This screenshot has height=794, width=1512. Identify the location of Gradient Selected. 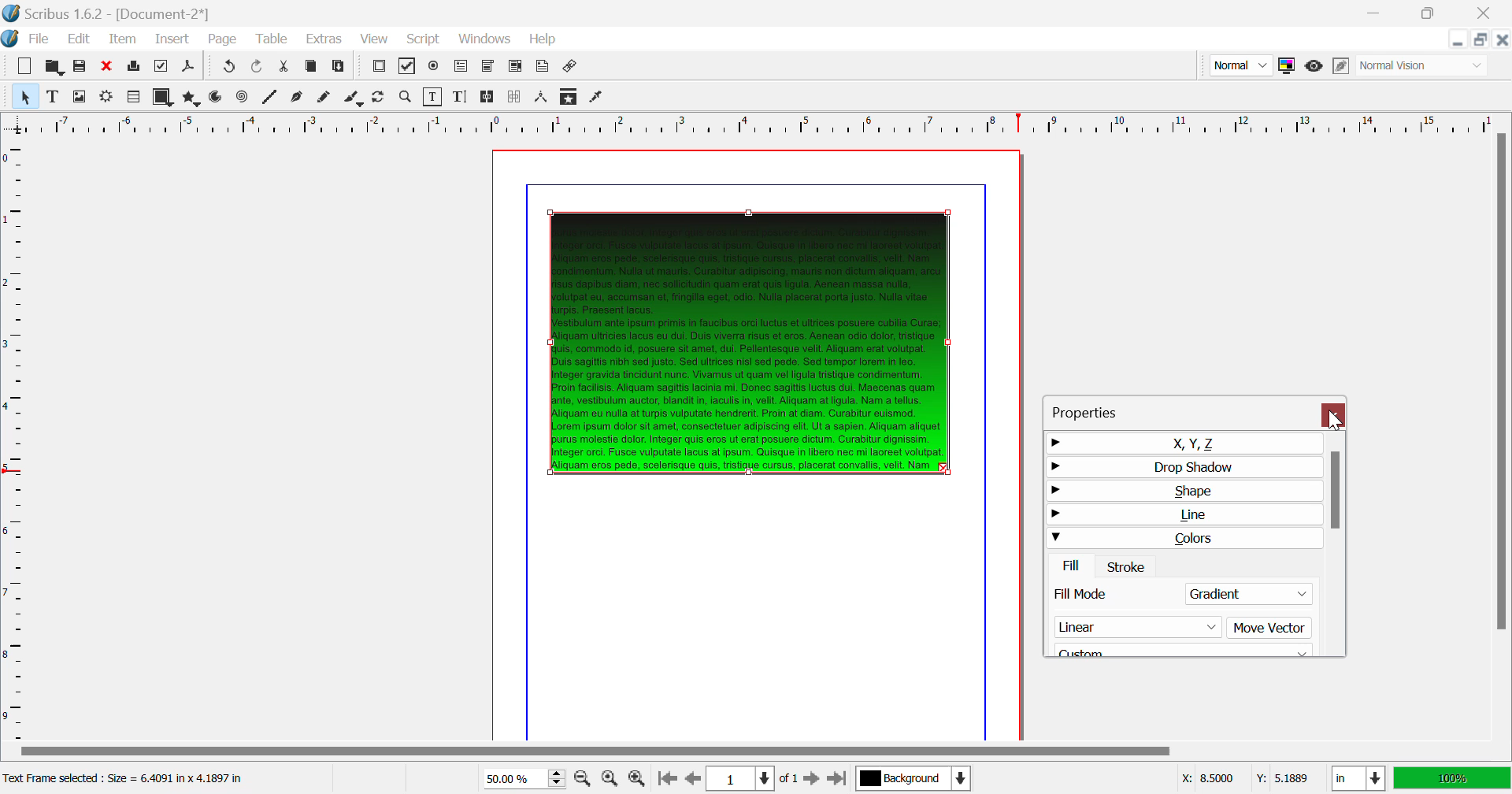
(1180, 596).